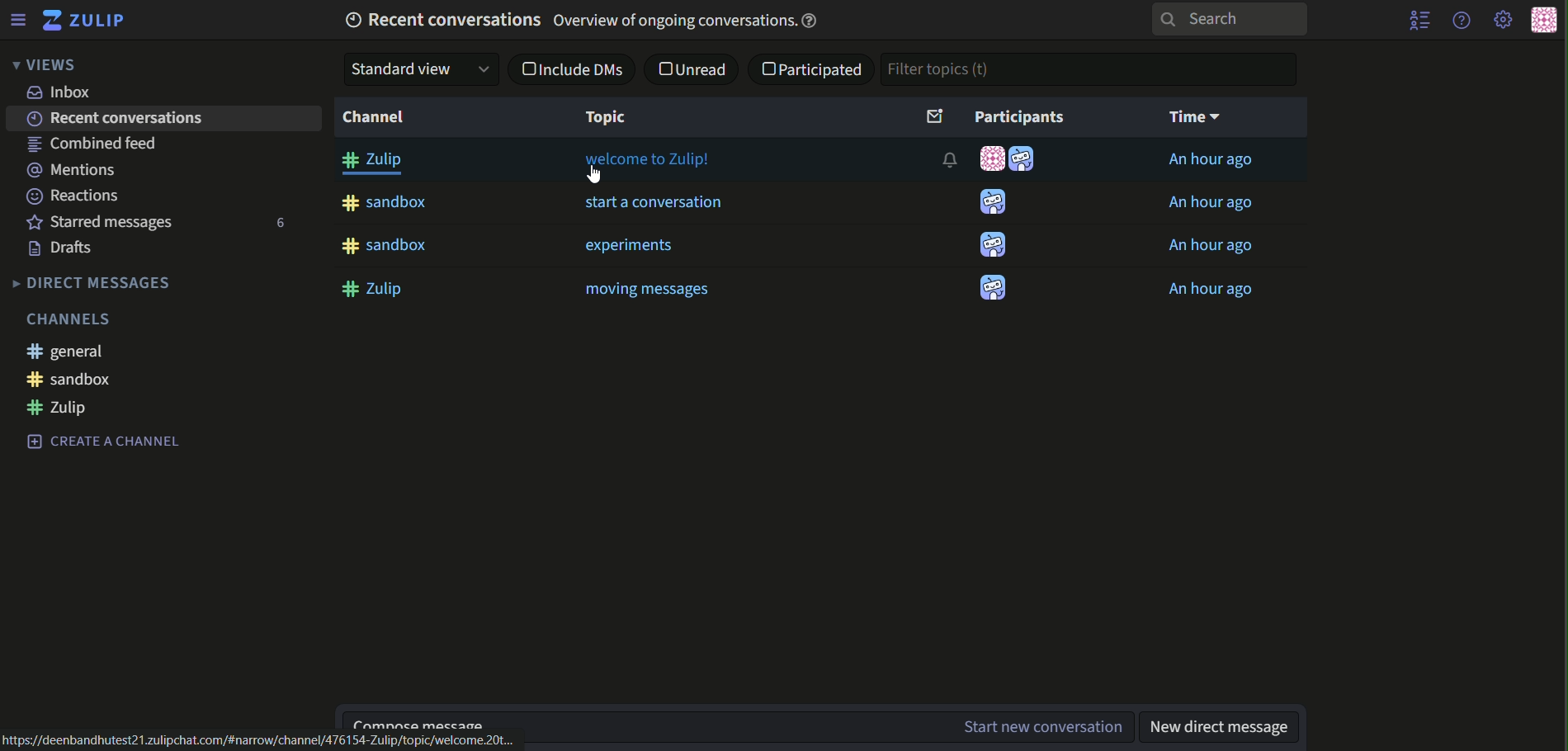 The image size is (1568, 751). I want to click on #sandbox, so click(386, 203).